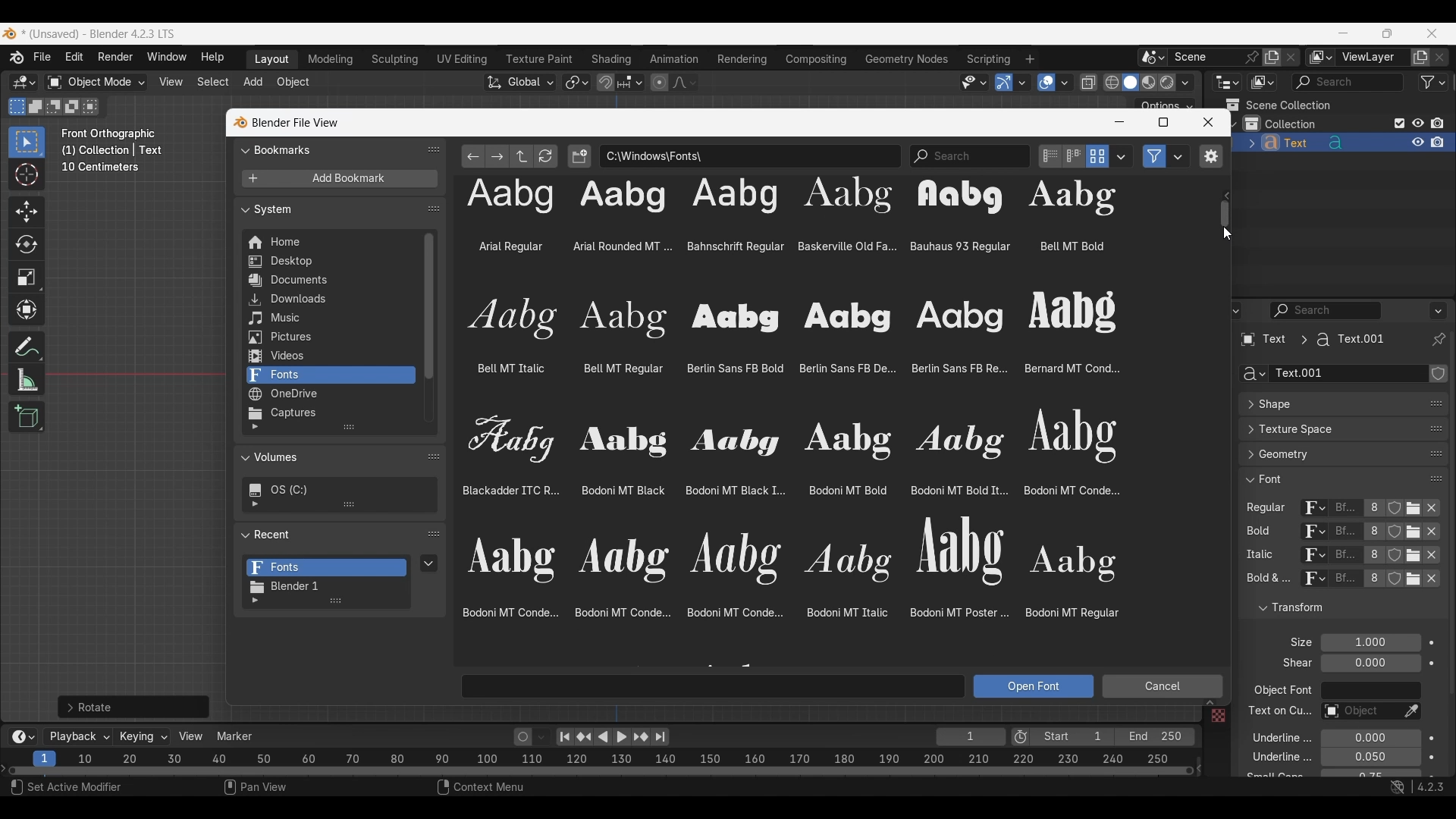  What do you see at coordinates (541, 59) in the screenshot?
I see `Texture paint workspace` at bounding box center [541, 59].